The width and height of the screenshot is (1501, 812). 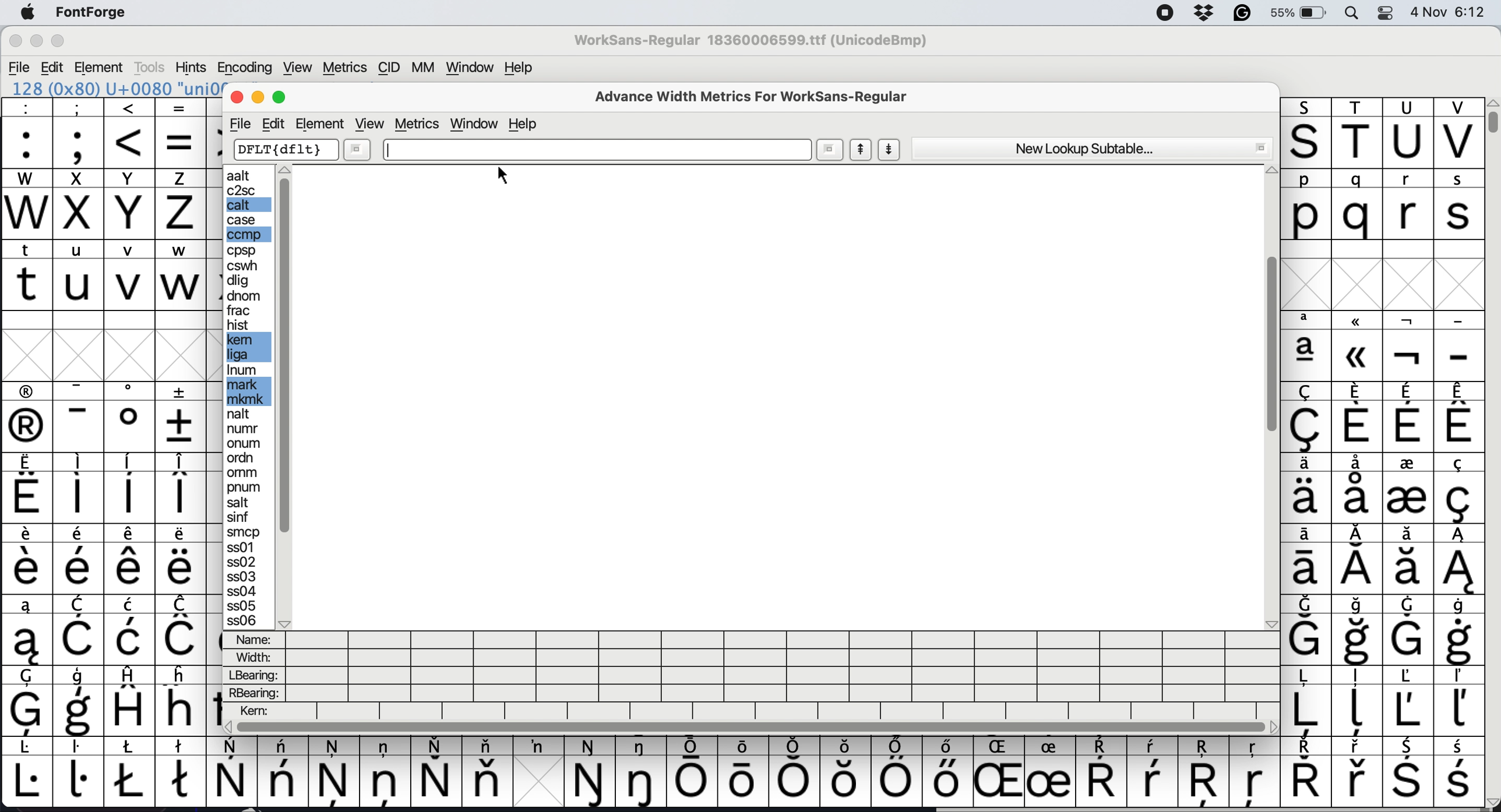 I want to click on screen recorder, so click(x=1165, y=15).